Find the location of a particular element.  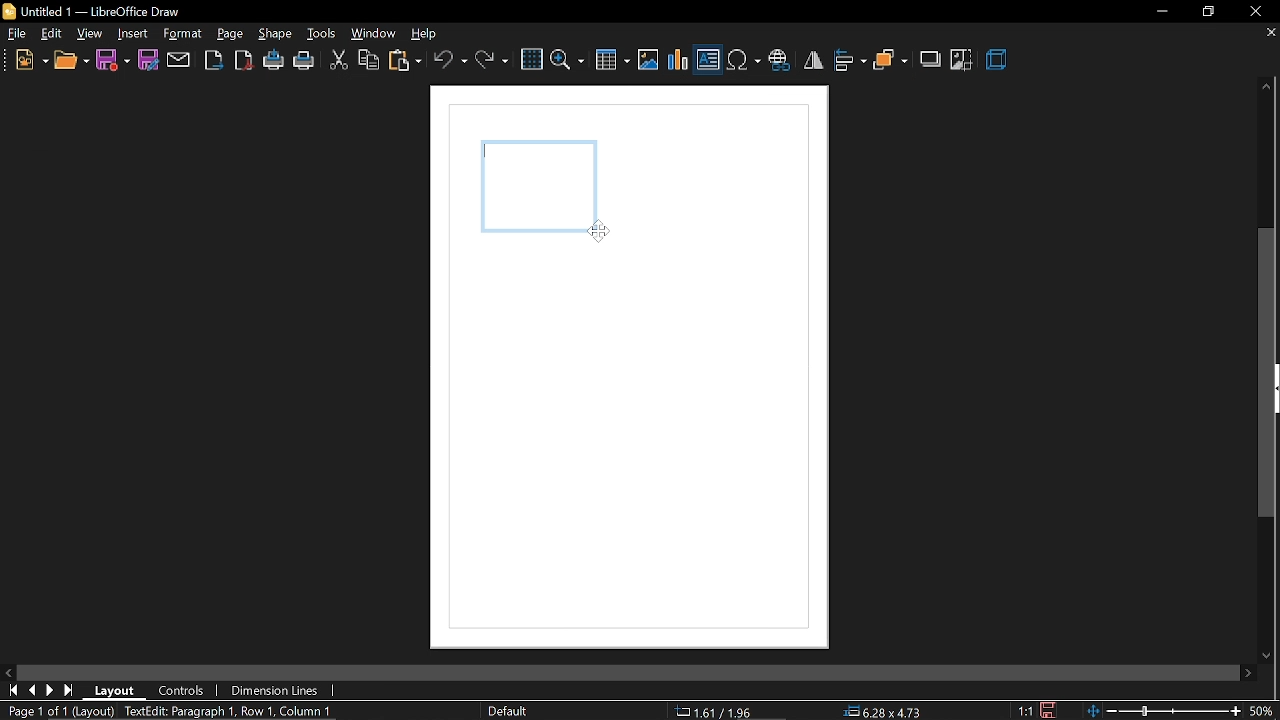

current zoom is located at coordinates (1266, 711).